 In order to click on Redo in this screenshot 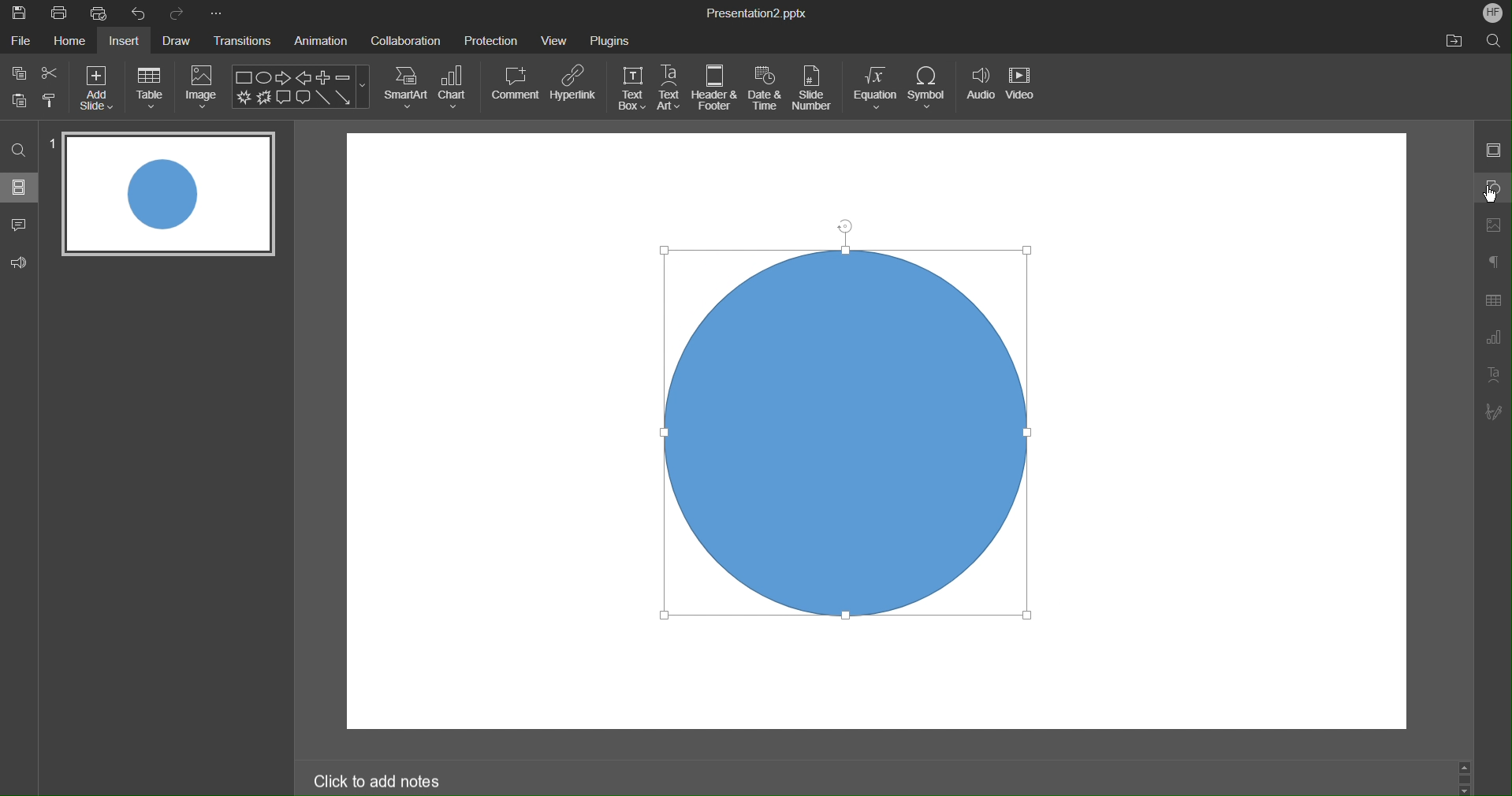, I will do `click(178, 13)`.